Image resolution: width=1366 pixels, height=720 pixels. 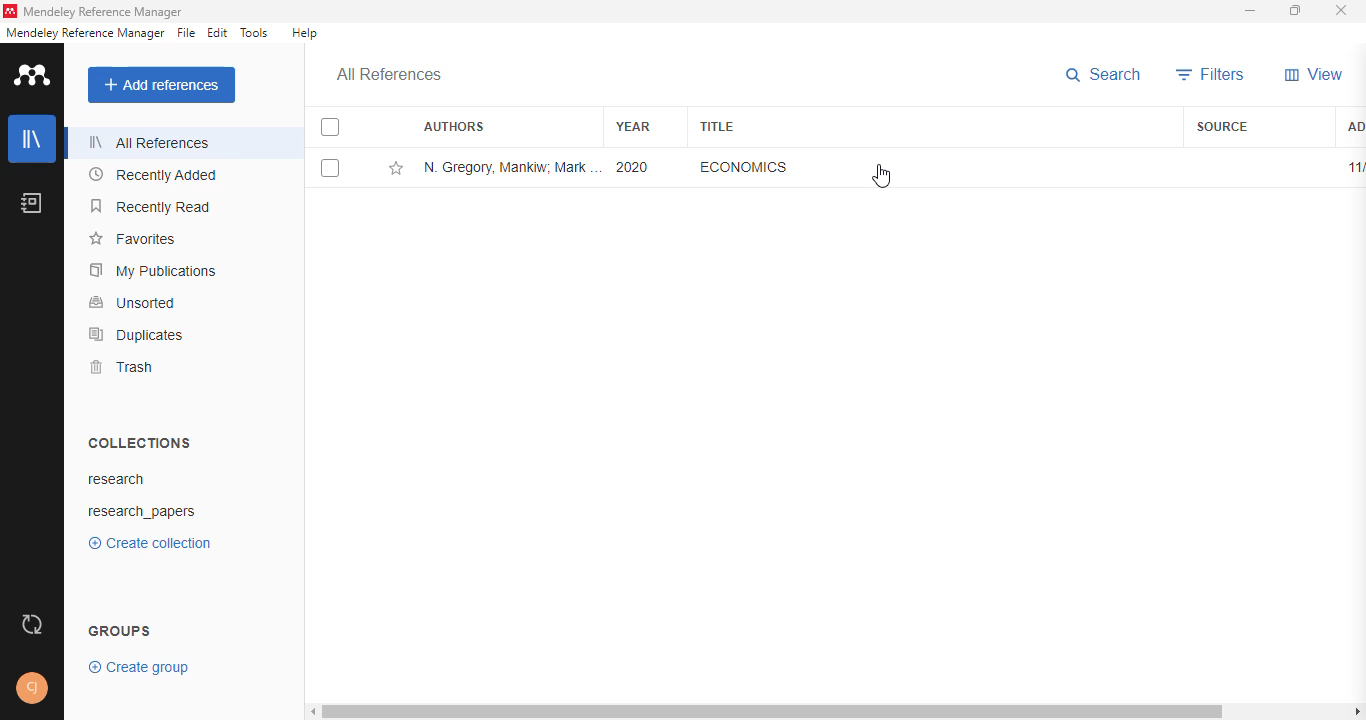 I want to click on create collection, so click(x=149, y=543).